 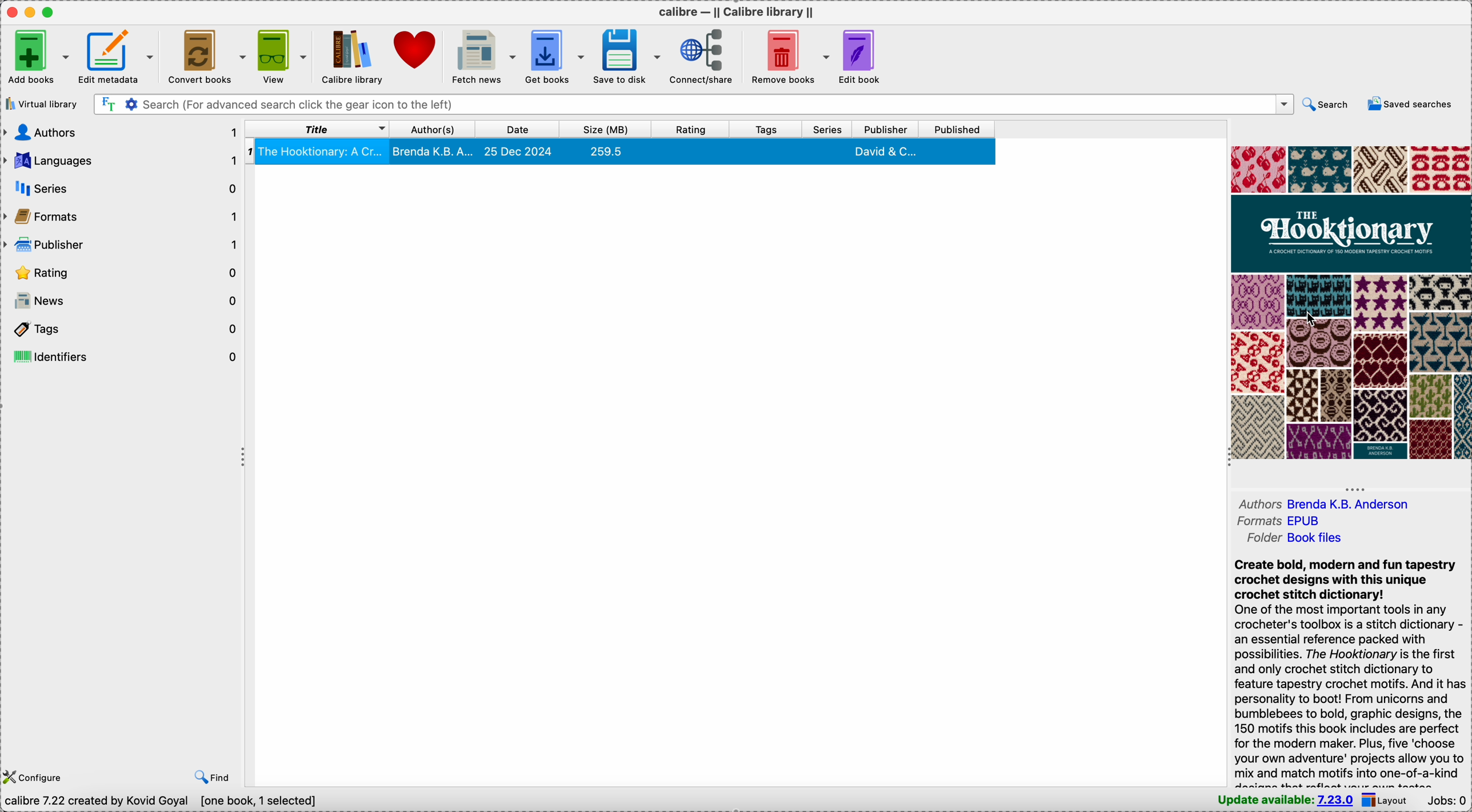 I want to click on search, so click(x=1327, y=103).